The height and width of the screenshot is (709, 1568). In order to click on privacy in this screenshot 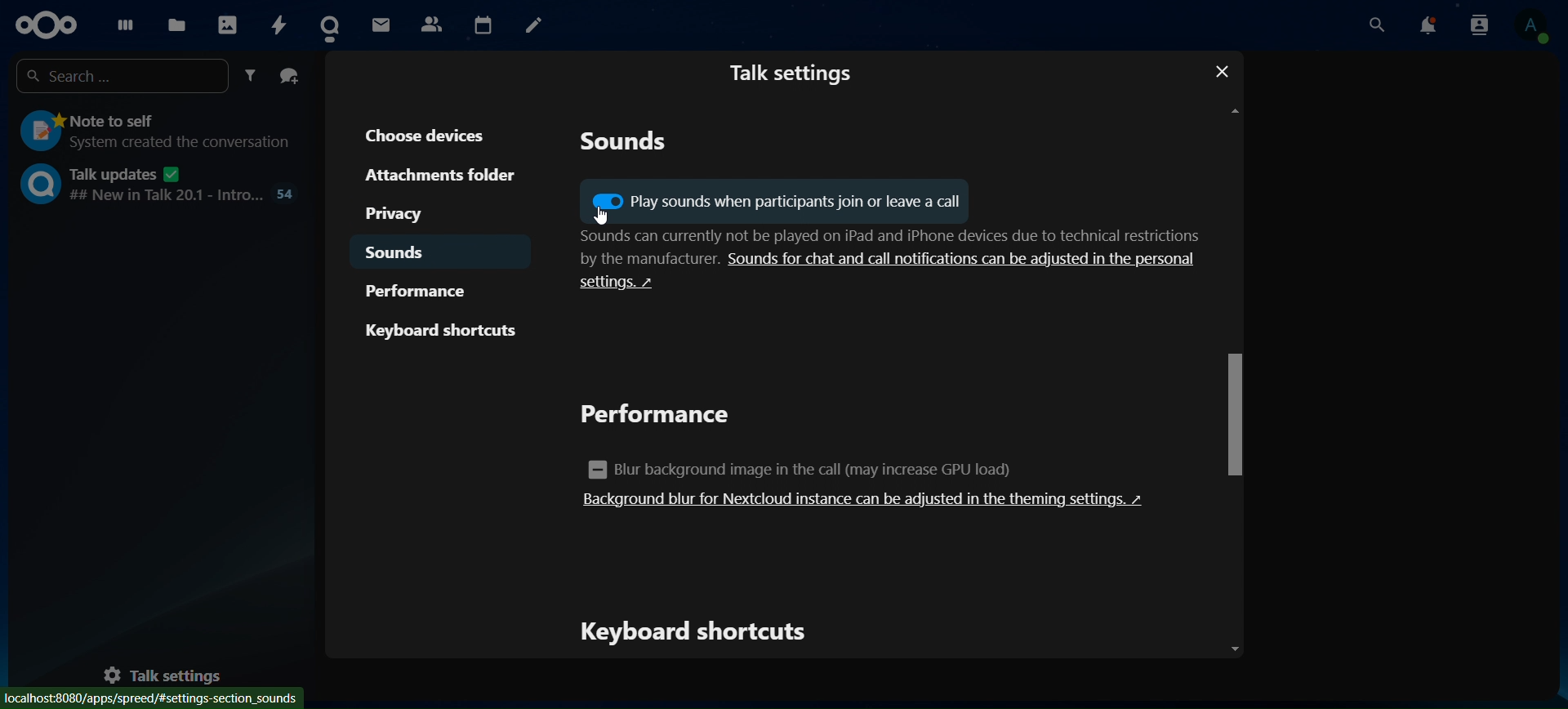, I will do `click(412, 214)`.